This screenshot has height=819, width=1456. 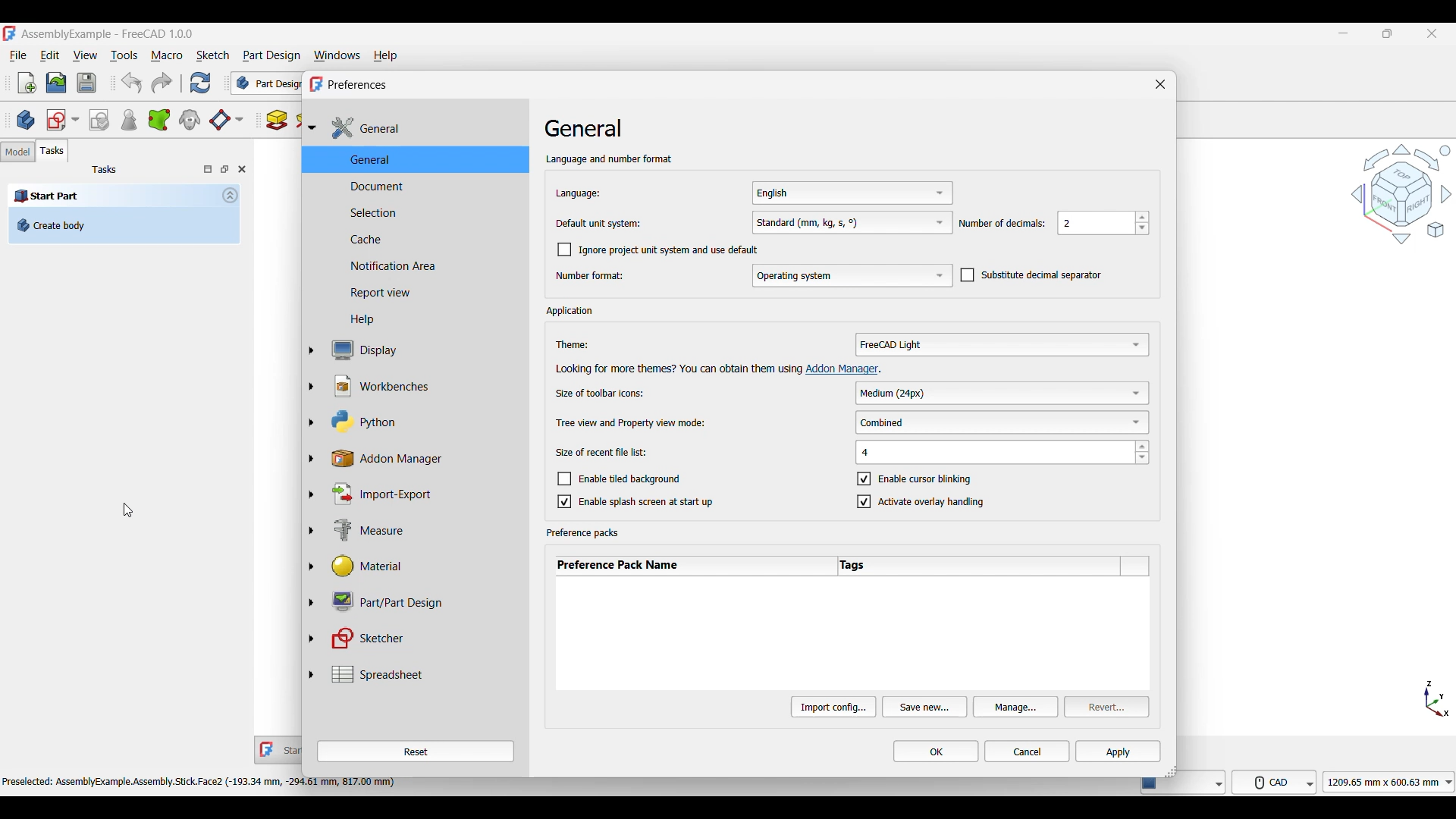 I want to click on Number format, so click(x=591, y=275).